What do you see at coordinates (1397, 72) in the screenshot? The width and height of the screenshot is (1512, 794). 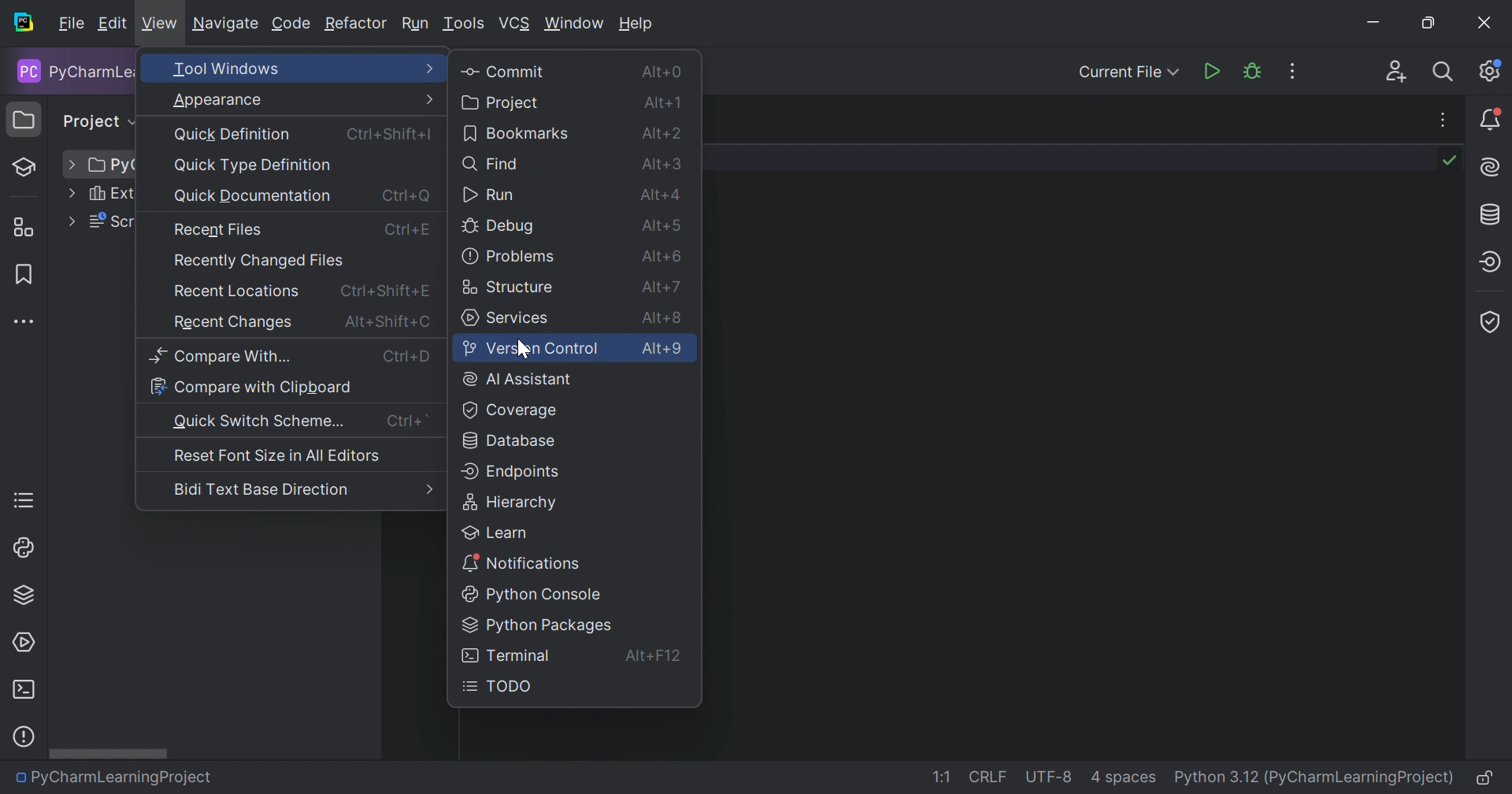 I see `Code with me` at bounding box center [1397, 72].